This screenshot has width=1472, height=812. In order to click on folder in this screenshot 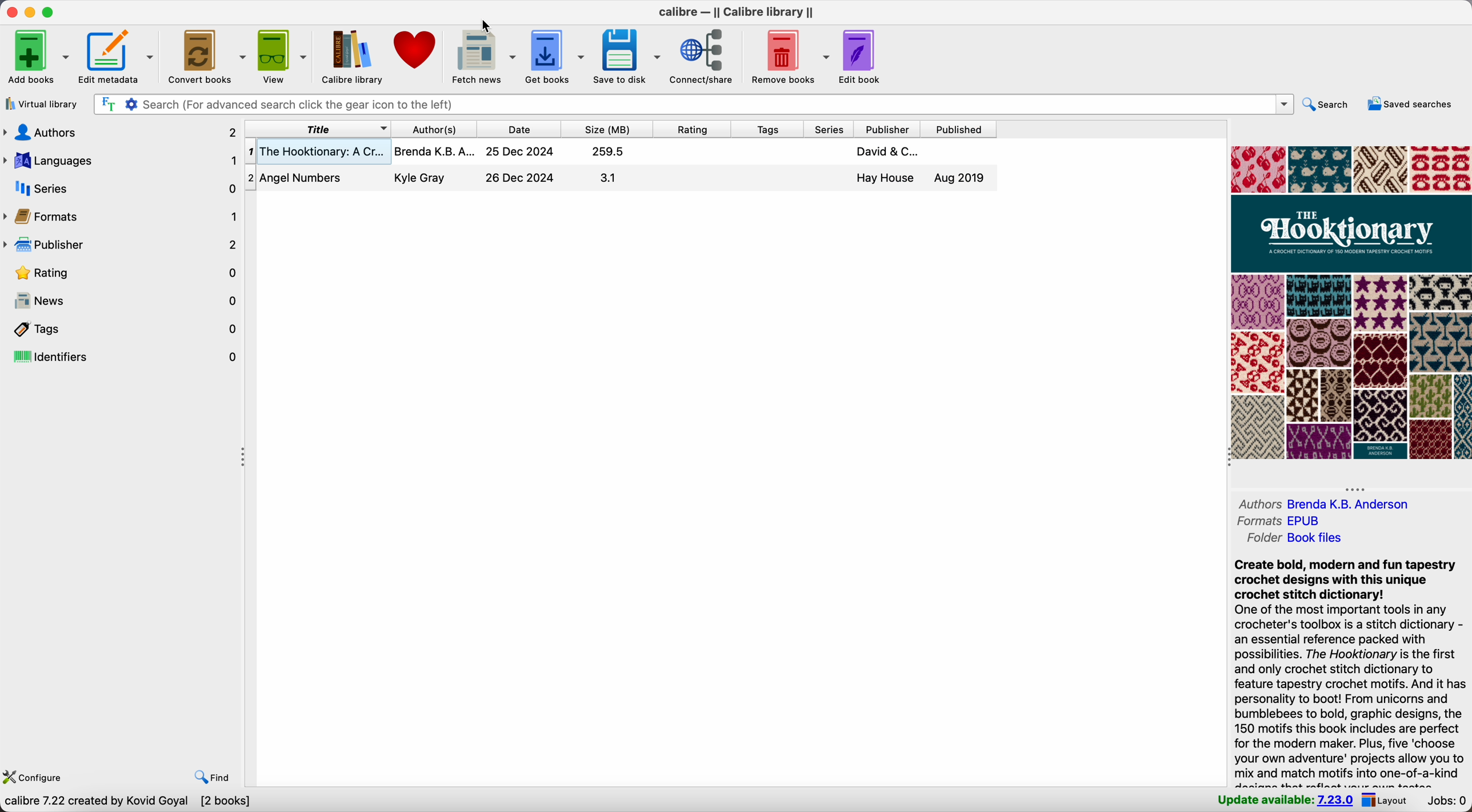, I will do `click(1299, 538)`.